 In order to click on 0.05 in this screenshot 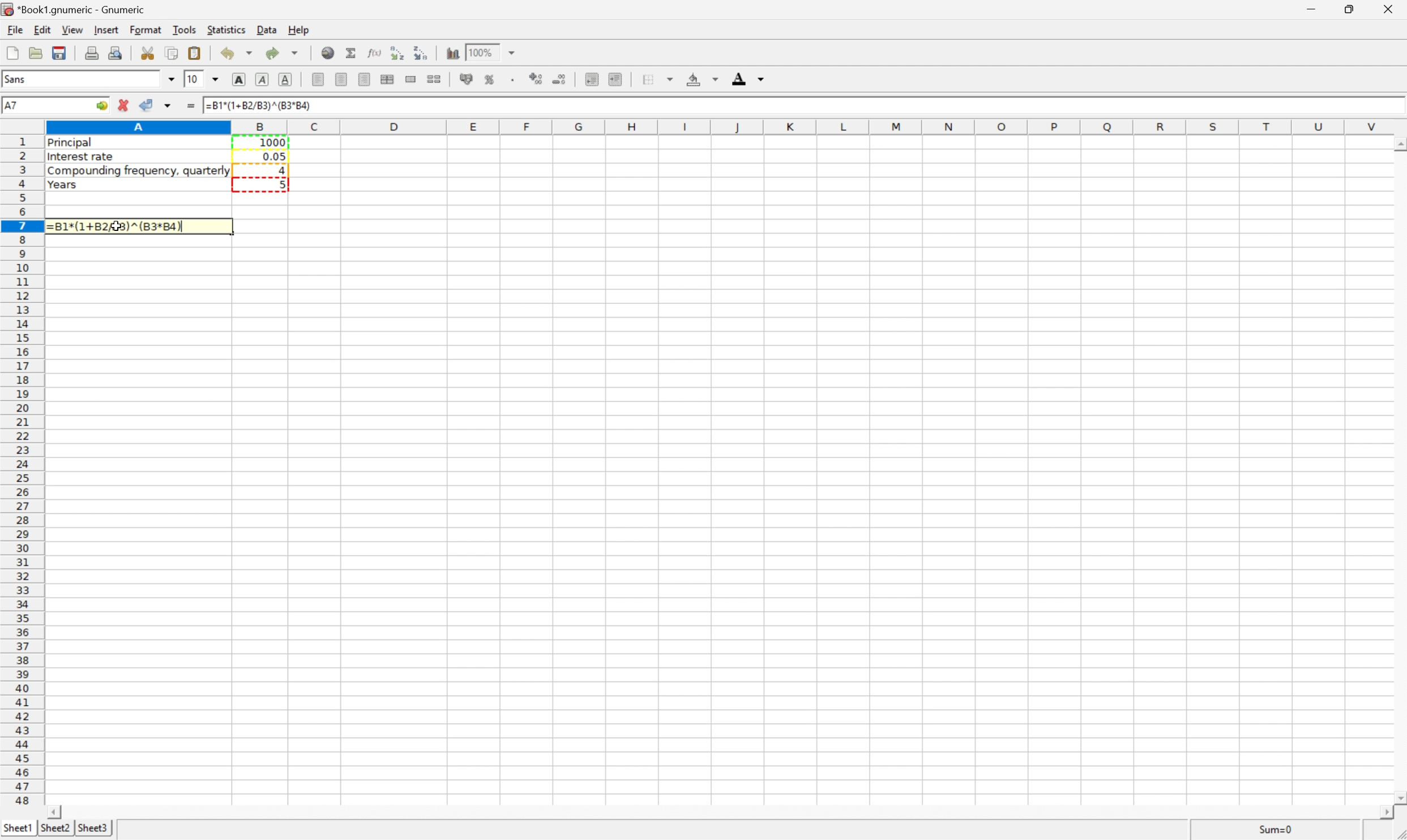, I will do `click(275, 156)`.